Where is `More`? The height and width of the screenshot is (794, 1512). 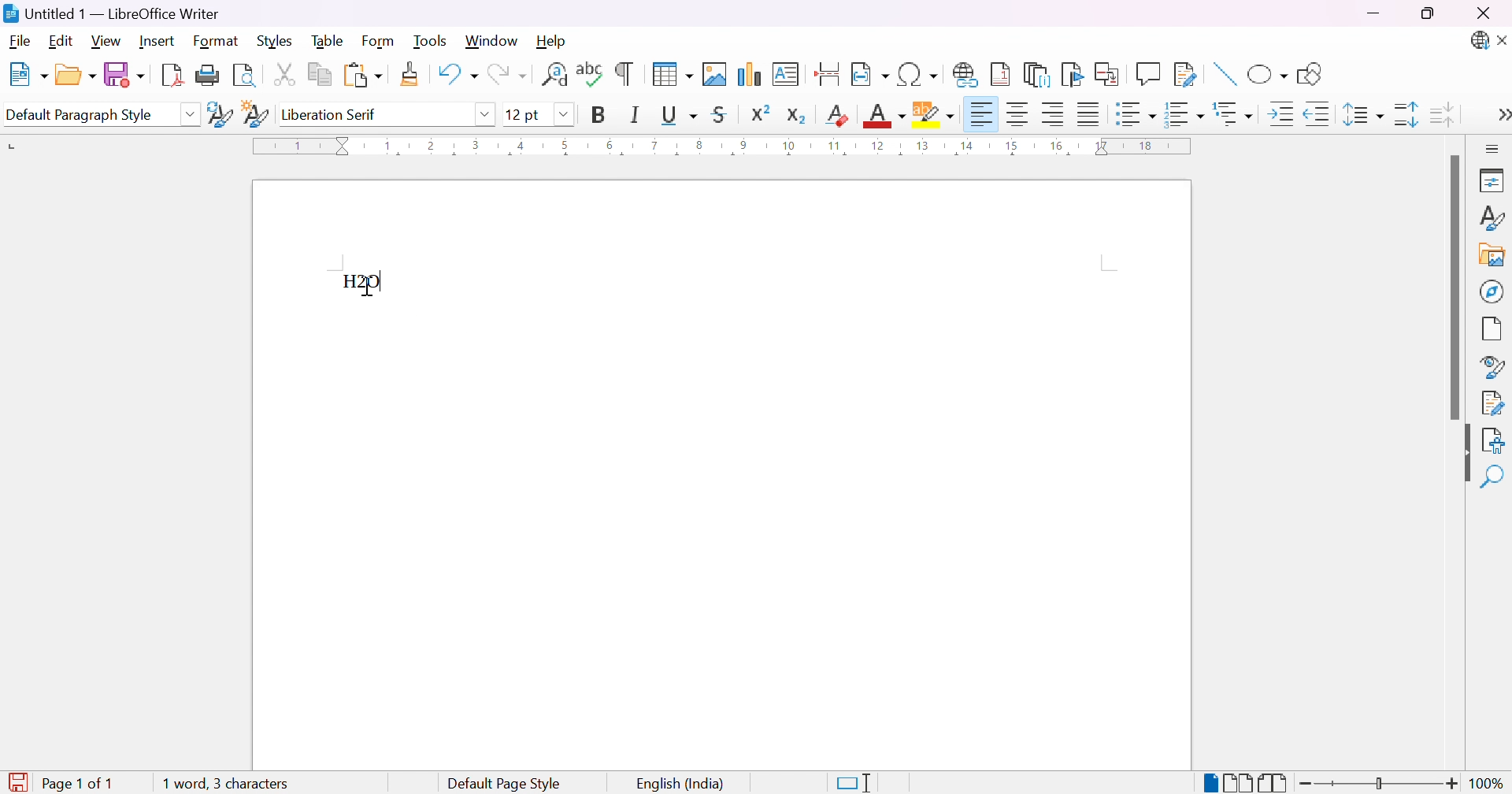
More is located at coordinates (1499, 117).